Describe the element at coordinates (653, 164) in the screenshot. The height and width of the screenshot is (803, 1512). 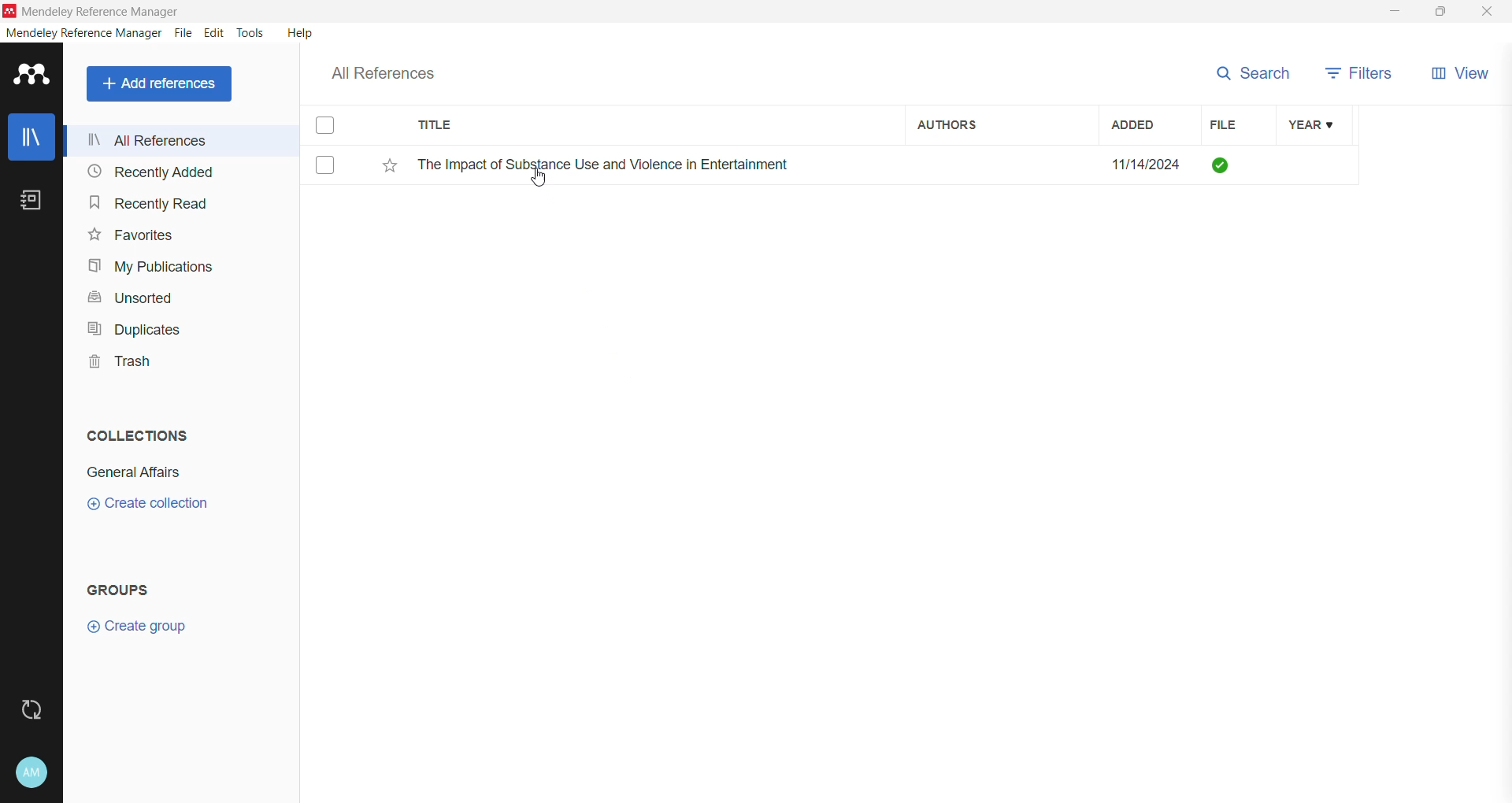
I see `Reference Title` at that location.